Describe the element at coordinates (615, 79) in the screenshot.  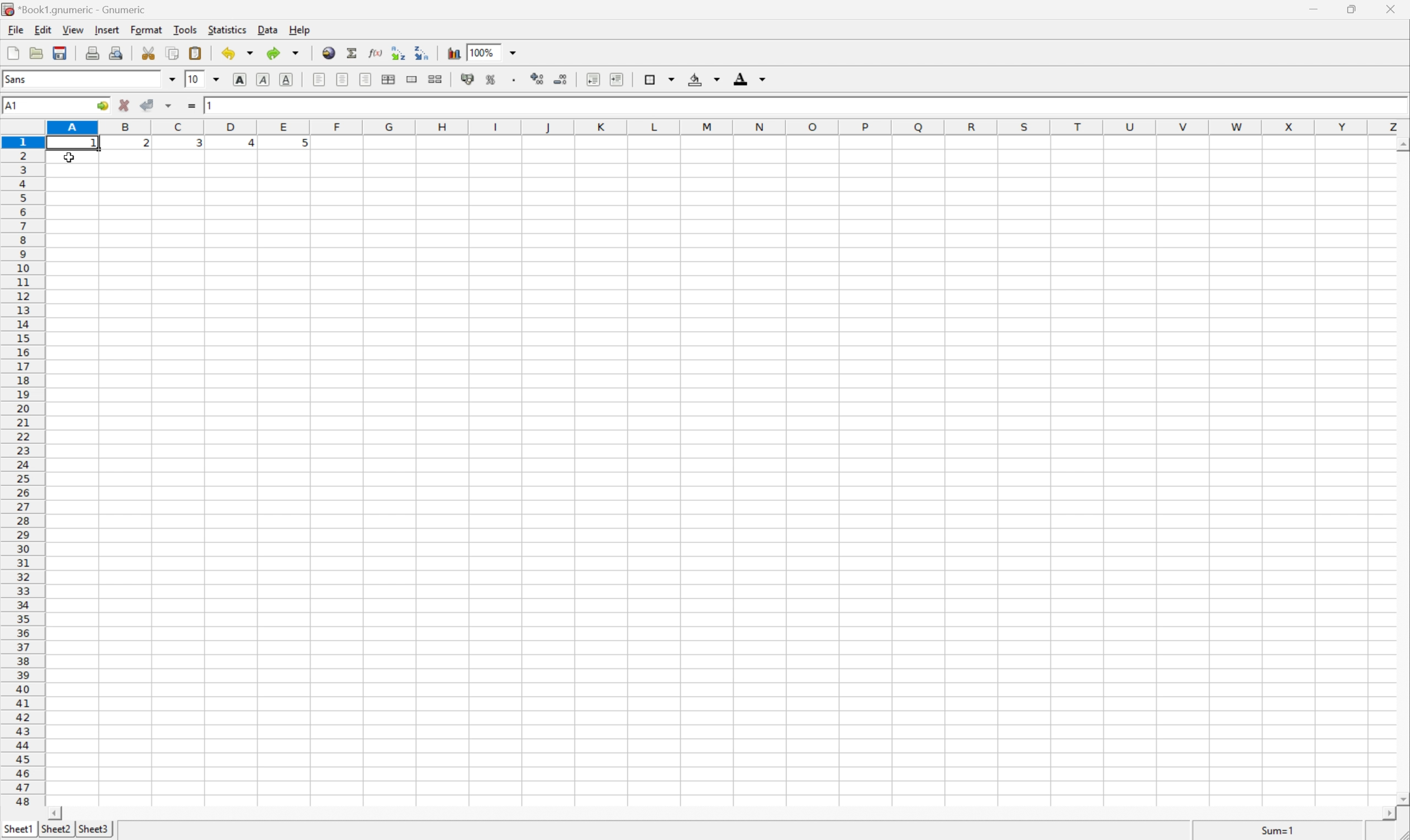
I see `increase indent` at that location.